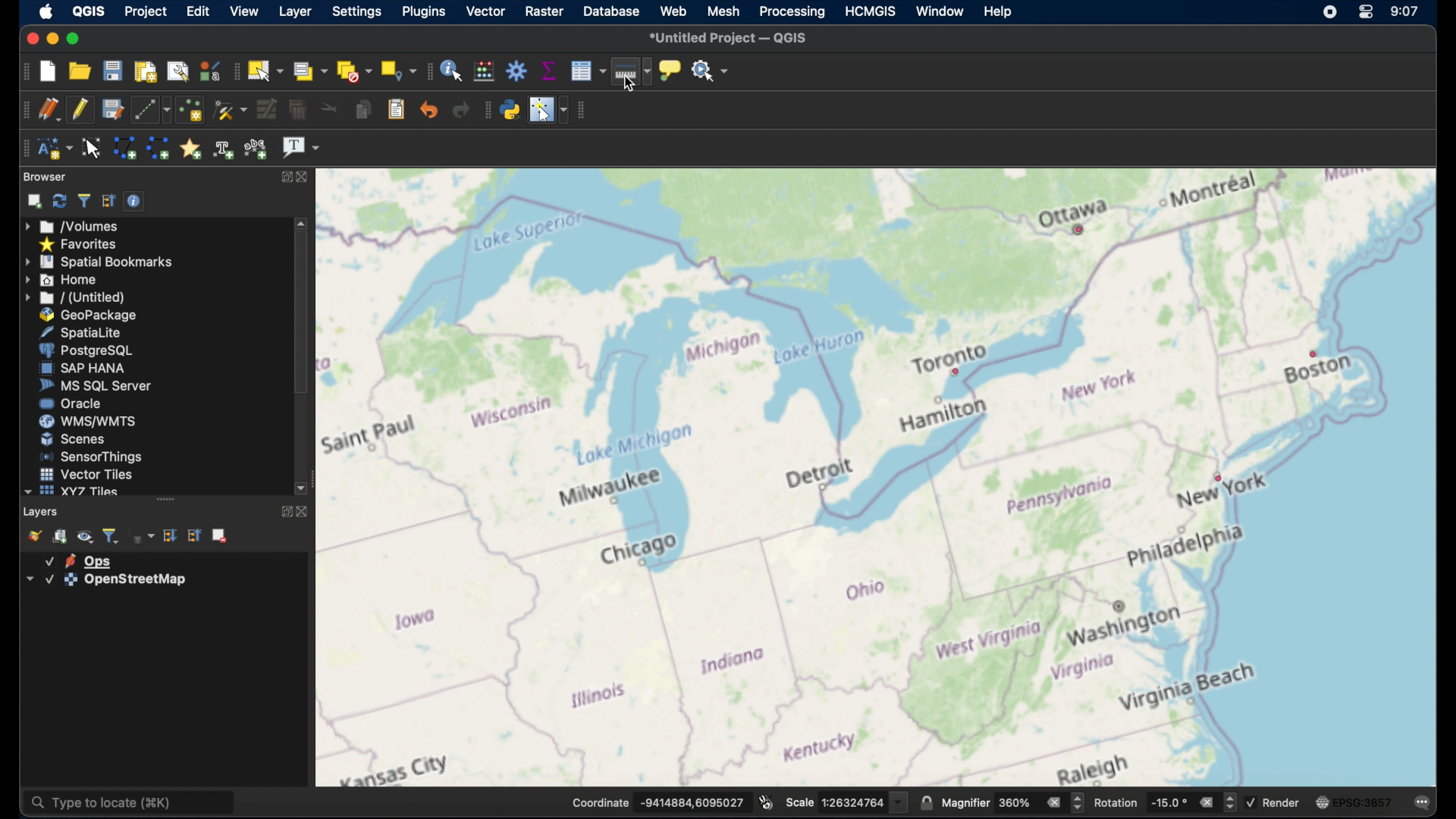  Describe the element at coordinates (46, 177) in the screenshot. I see `browser` at that location.